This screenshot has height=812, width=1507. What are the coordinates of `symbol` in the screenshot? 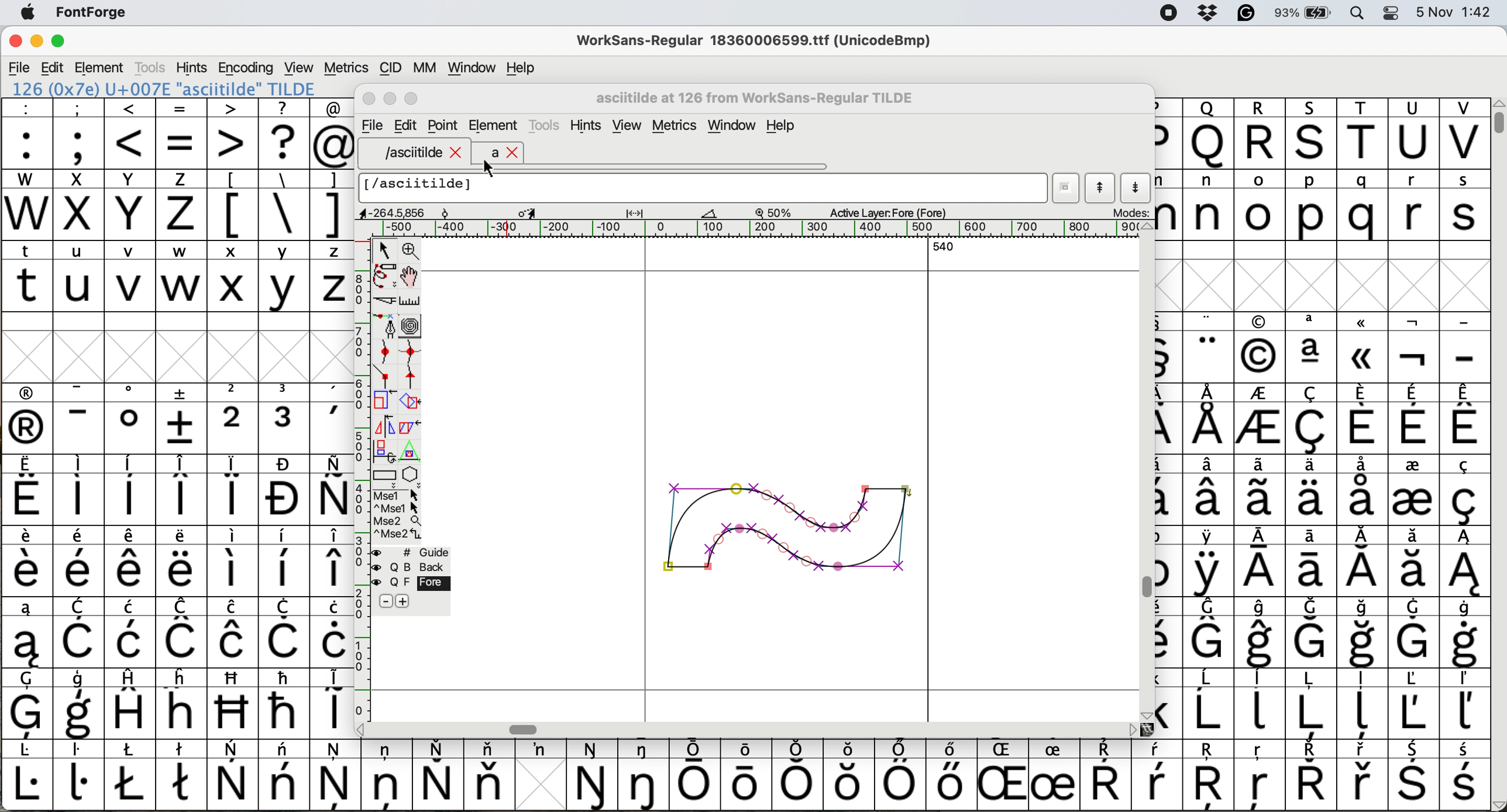 It's located at (133, 703).